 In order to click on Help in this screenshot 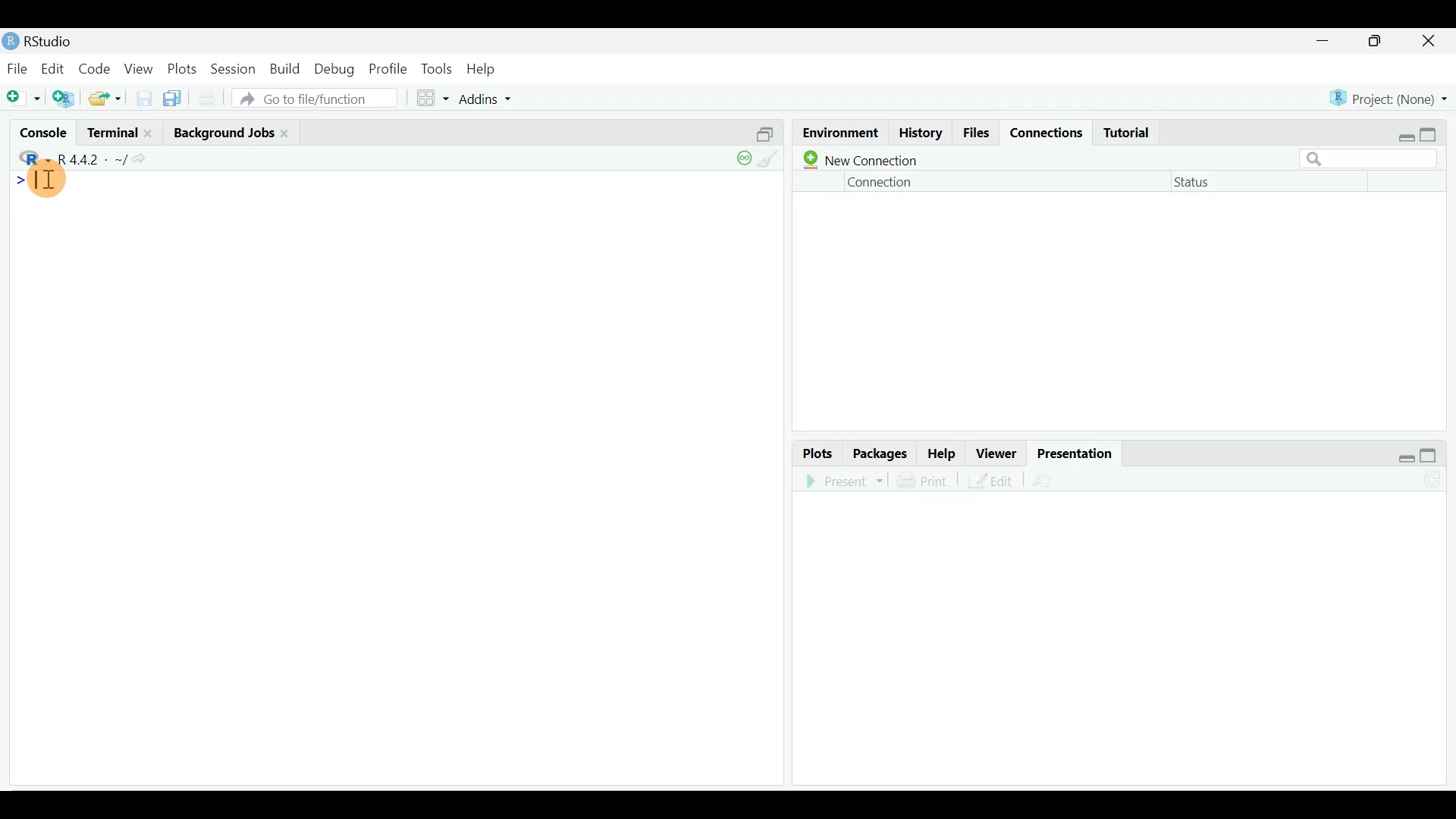, I will do `click(943, 452)`.